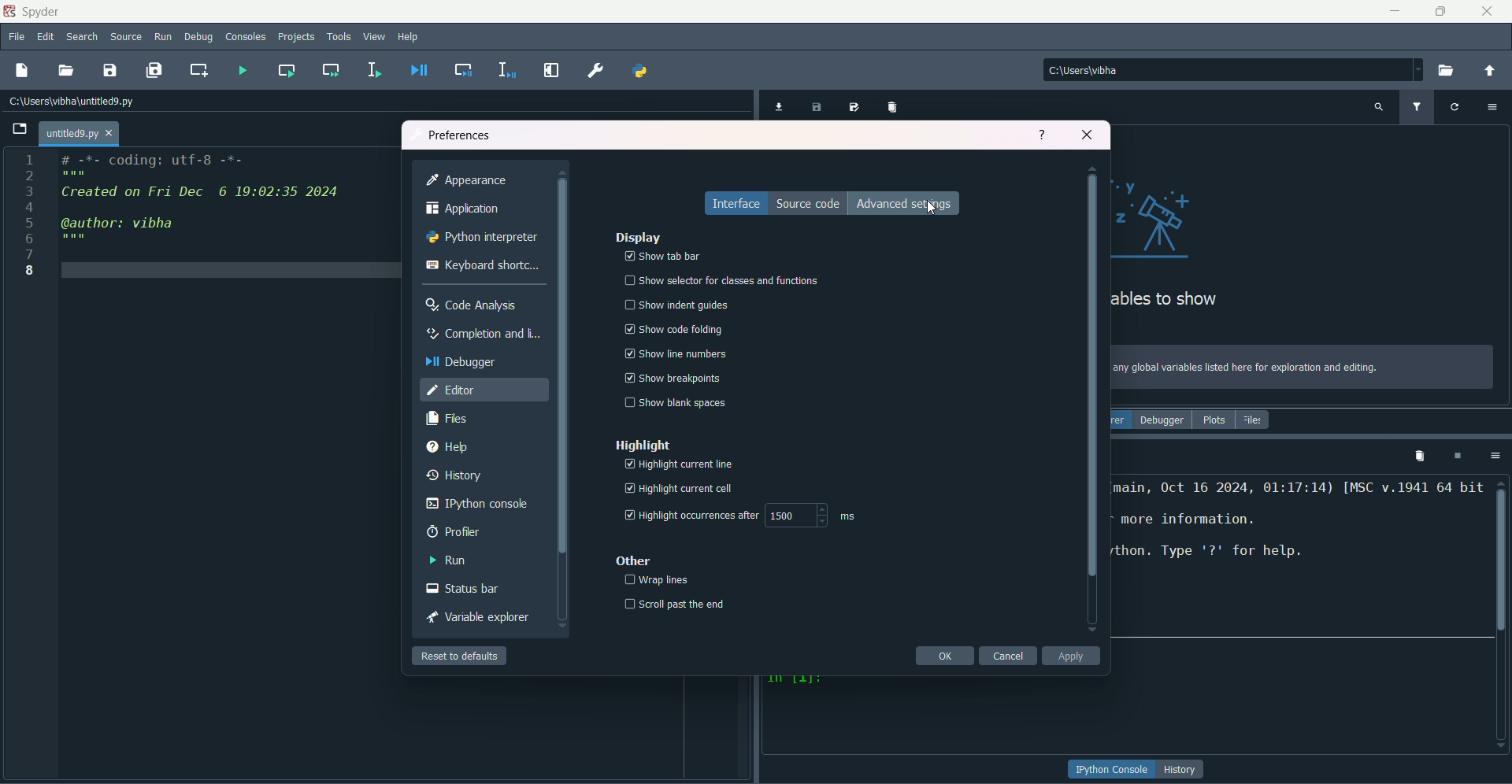 Image resolution: width=1512 pixels, height=784 pixels. I want to click on display, so click(640, 237).